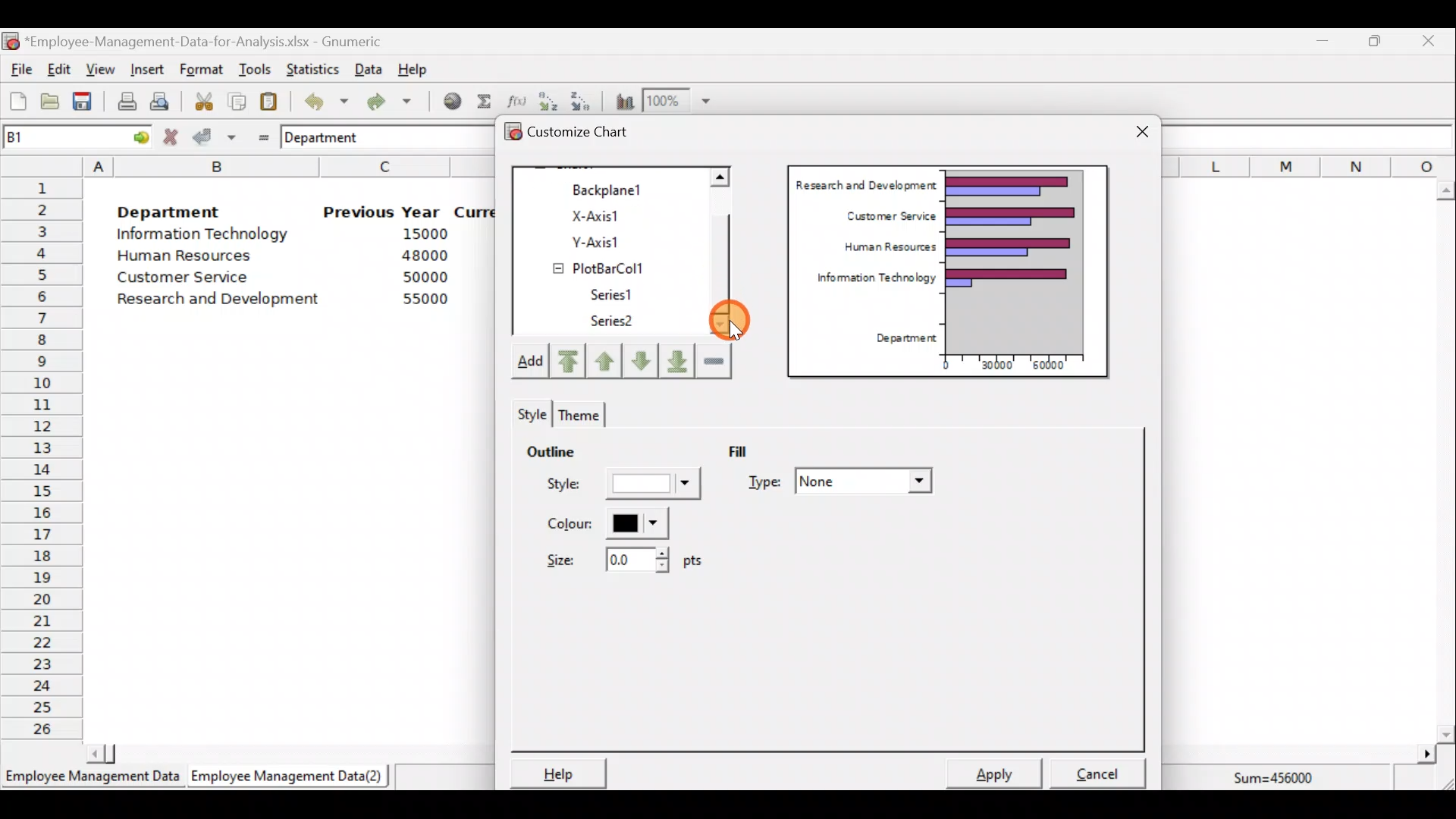 Image resolution: width=1456 pixels, height=819 pixels. What do you see at coordinates (1445, 462) in the screenshot?
I see `Scroll bar` at bounding box center [1445, 462].